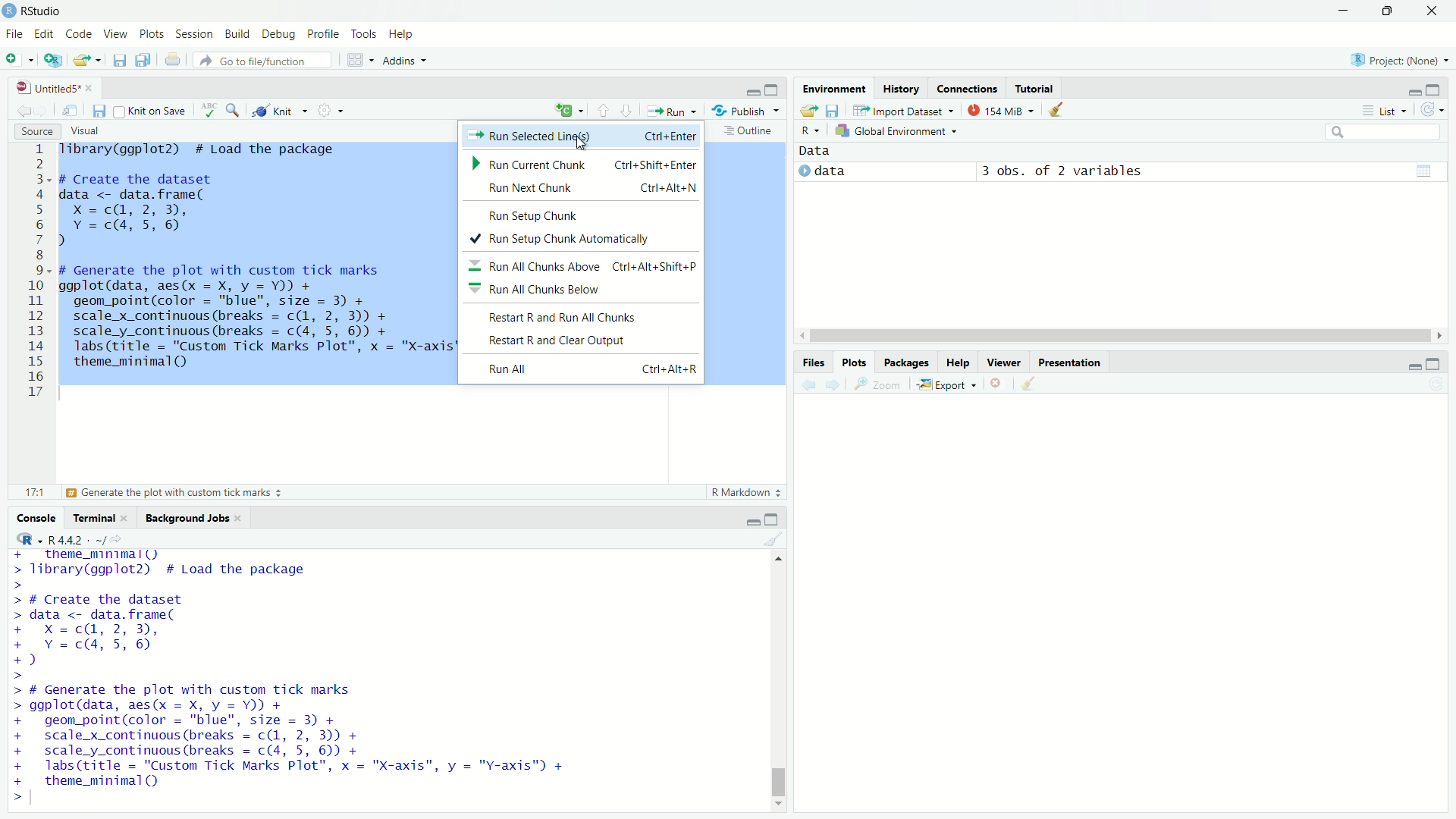 This screenshot has width=1456, height=819. I want to click on Restart R and Run All Chunks, so click(586, 317).